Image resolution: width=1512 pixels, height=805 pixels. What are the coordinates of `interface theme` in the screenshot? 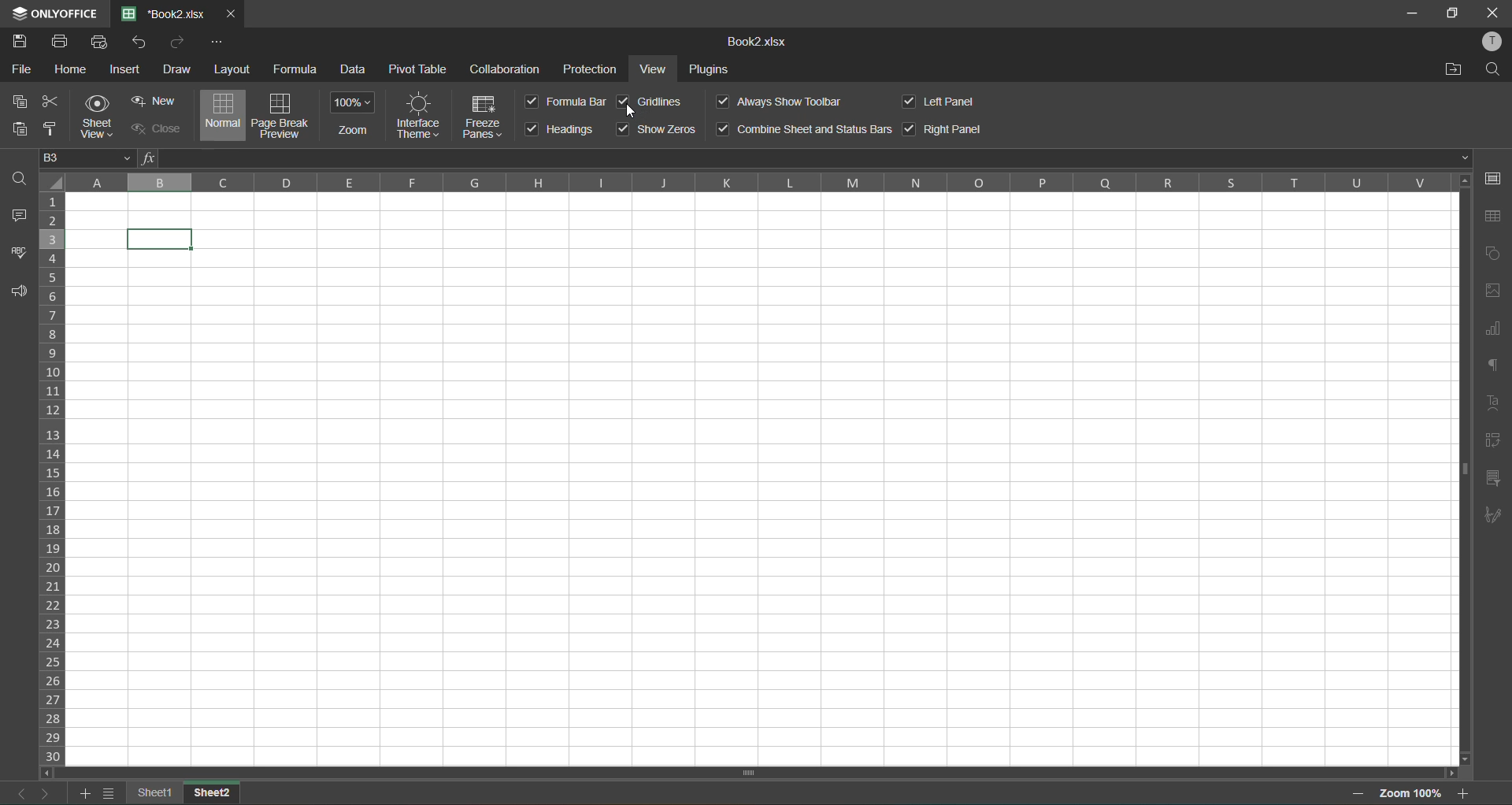 It's located at (420, 114).